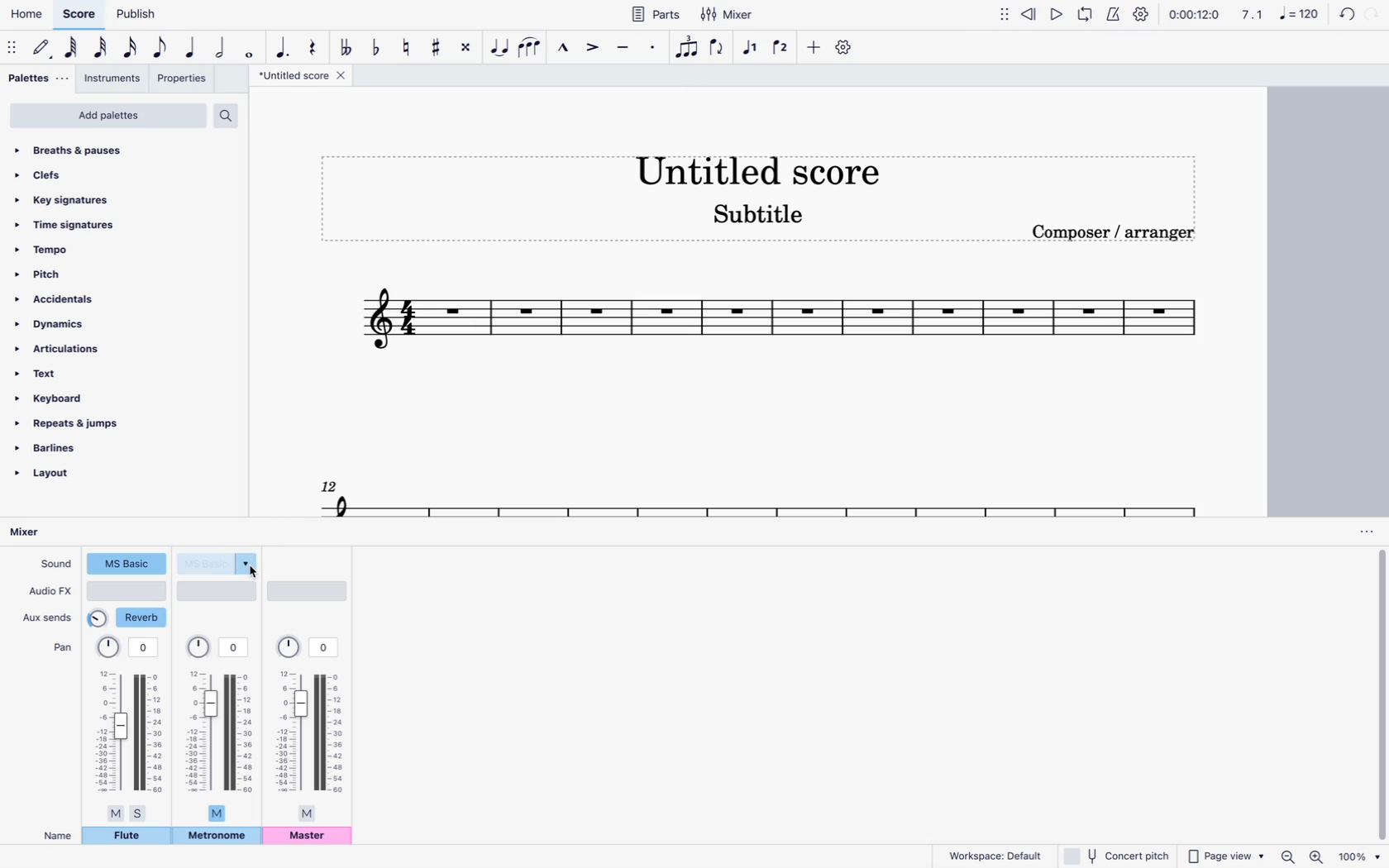 Image resolution: width=1389 pixels, height=868 pixels. Describe the element at coordinates (466, 49) in the screenshot. I see `toggle double sharp` at that location.